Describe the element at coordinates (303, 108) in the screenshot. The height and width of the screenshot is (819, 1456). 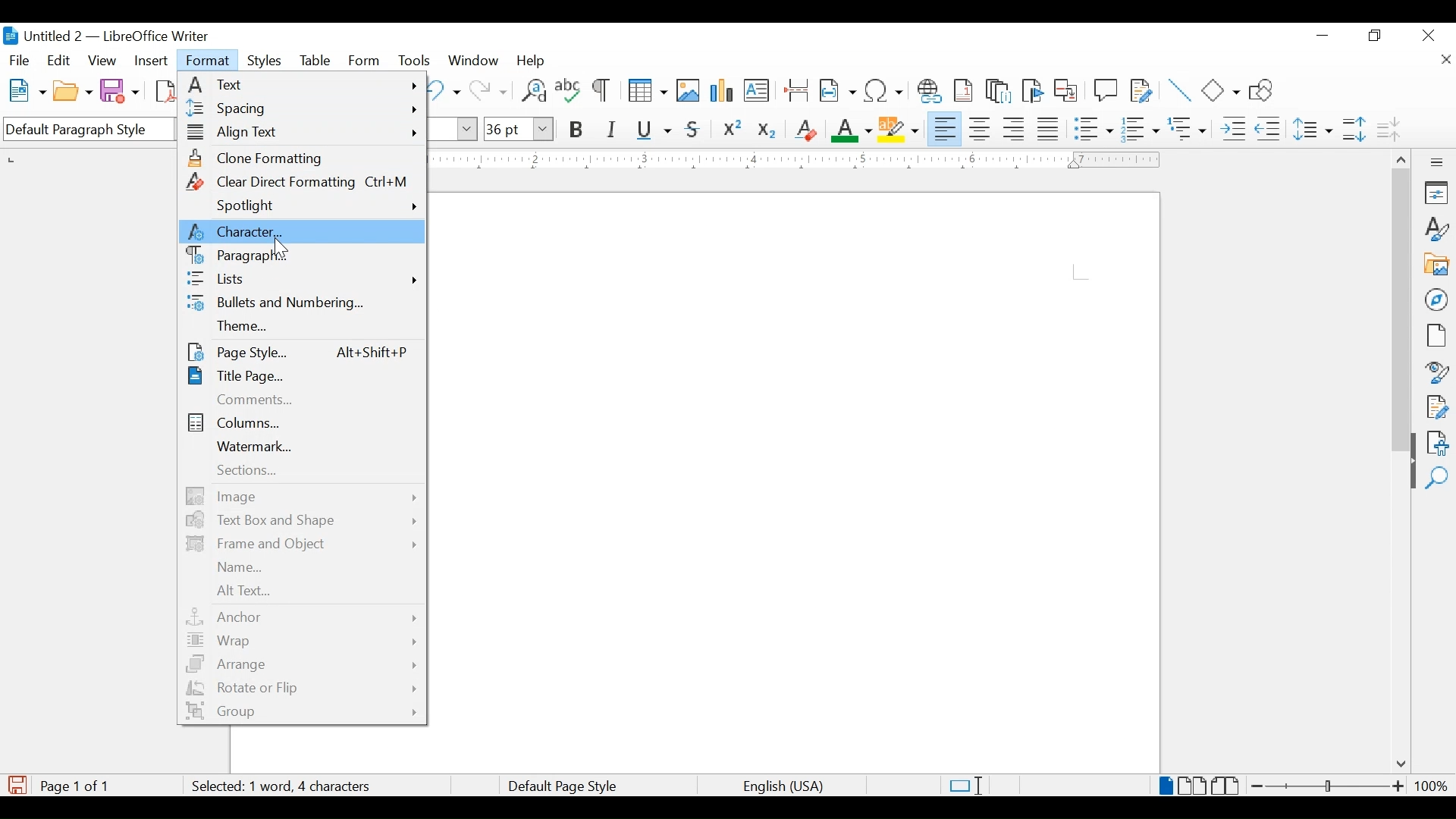
I see `spacing menu` at that location.